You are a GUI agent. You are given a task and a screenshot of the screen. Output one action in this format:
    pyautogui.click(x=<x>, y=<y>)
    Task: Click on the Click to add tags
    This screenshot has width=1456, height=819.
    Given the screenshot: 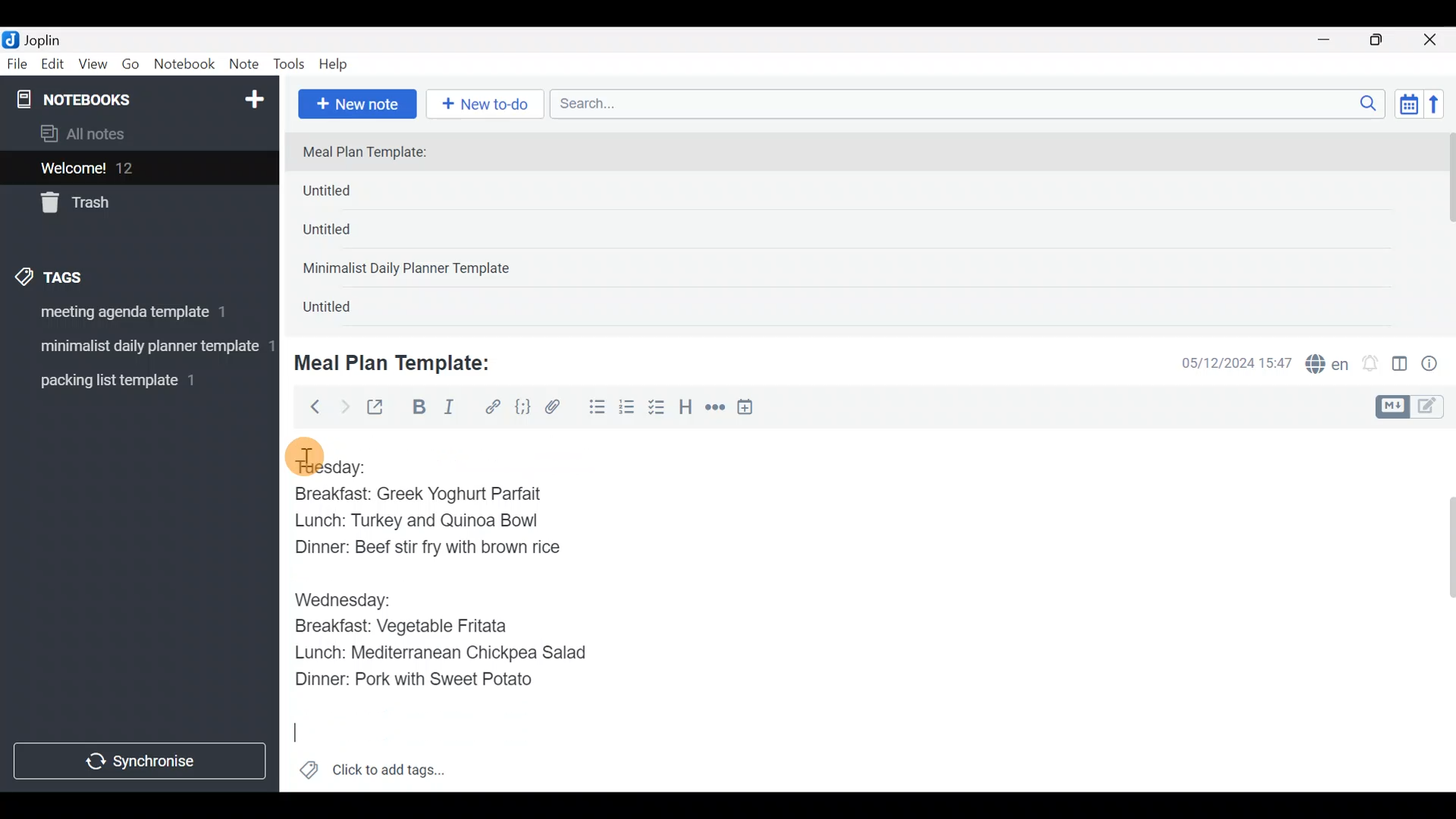 What is the action you would take?
    pyautogui.click(x=372, y=775)
    